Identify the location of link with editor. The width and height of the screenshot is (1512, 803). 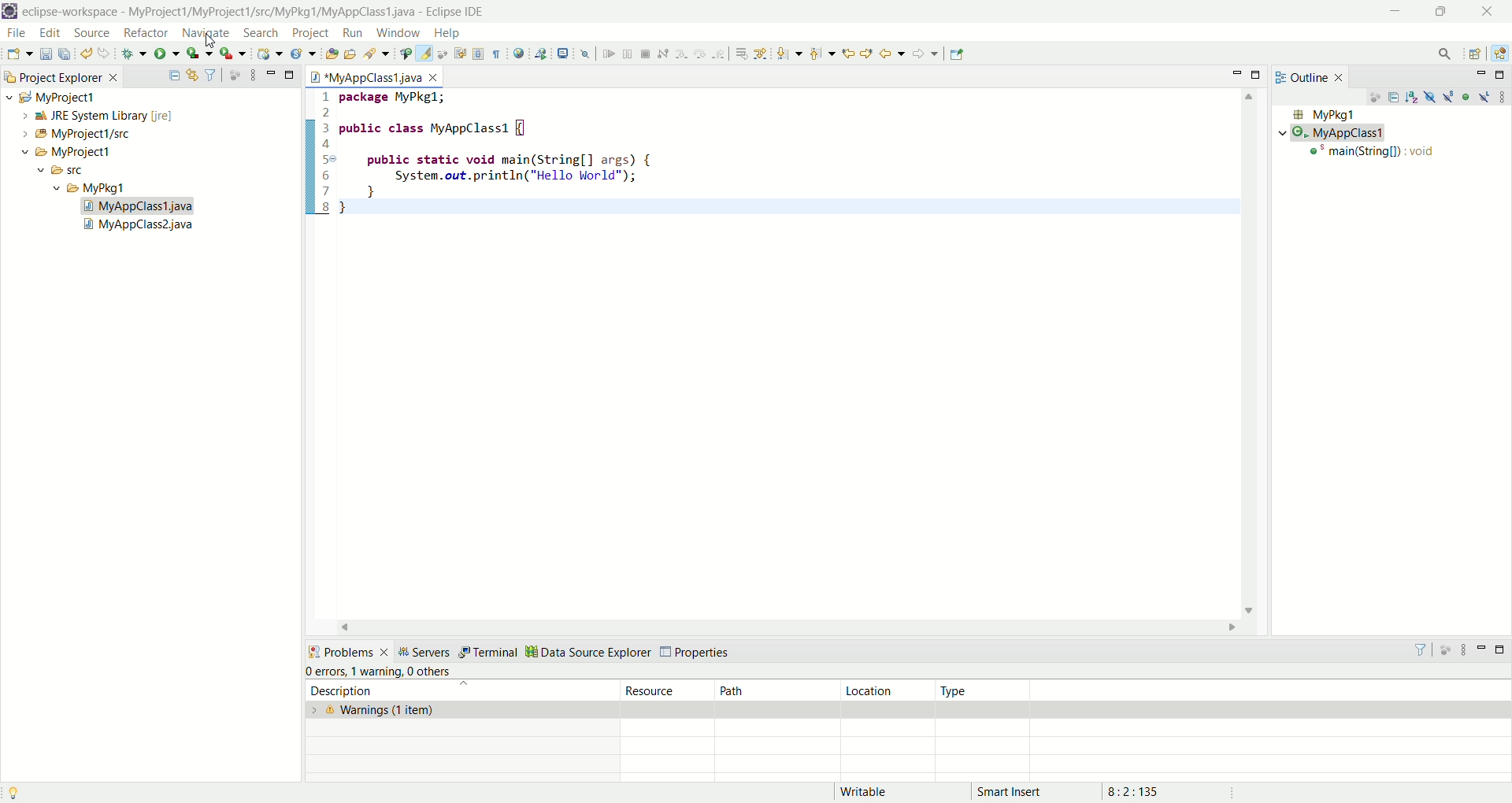
(193, 75).